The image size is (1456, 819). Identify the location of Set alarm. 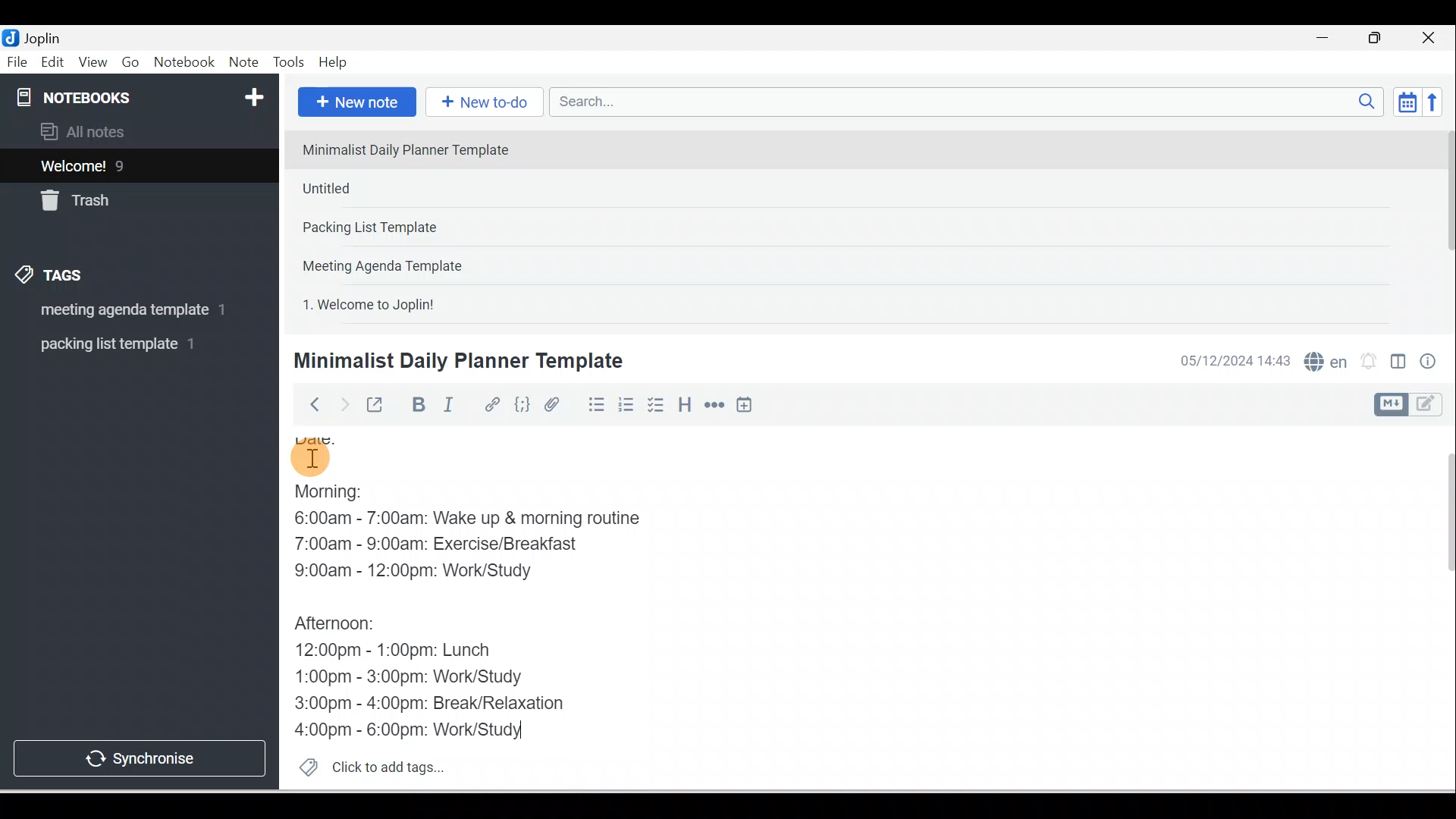
(1367, 362).